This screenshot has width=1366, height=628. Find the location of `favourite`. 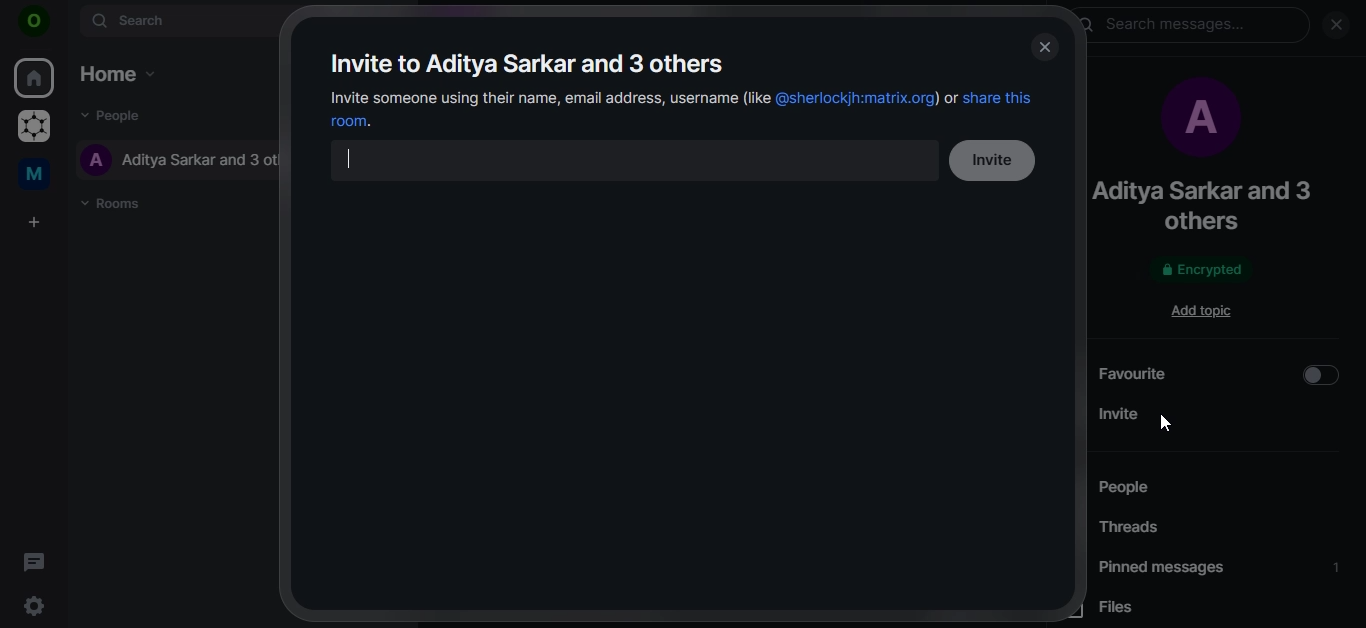

favourite is located at coordinates (1220, 374).